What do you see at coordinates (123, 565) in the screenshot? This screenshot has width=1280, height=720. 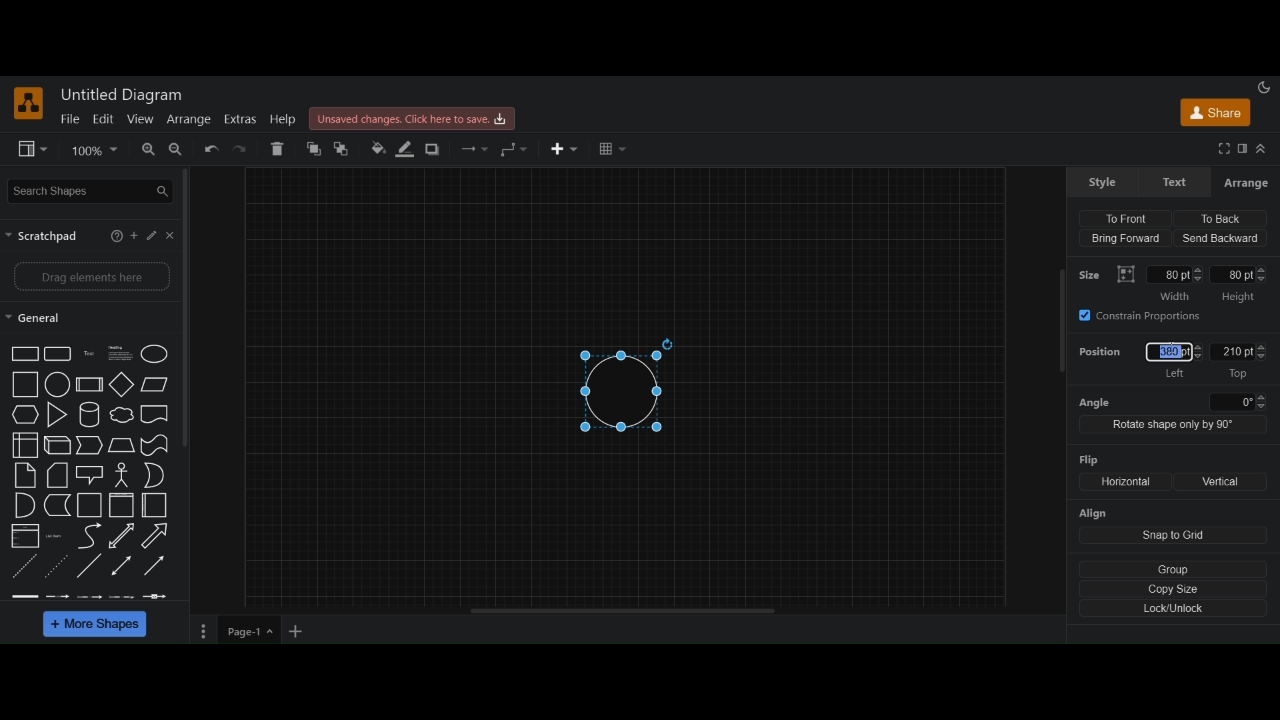 I see `2 sided arrow` at bounding box center [123, 565].